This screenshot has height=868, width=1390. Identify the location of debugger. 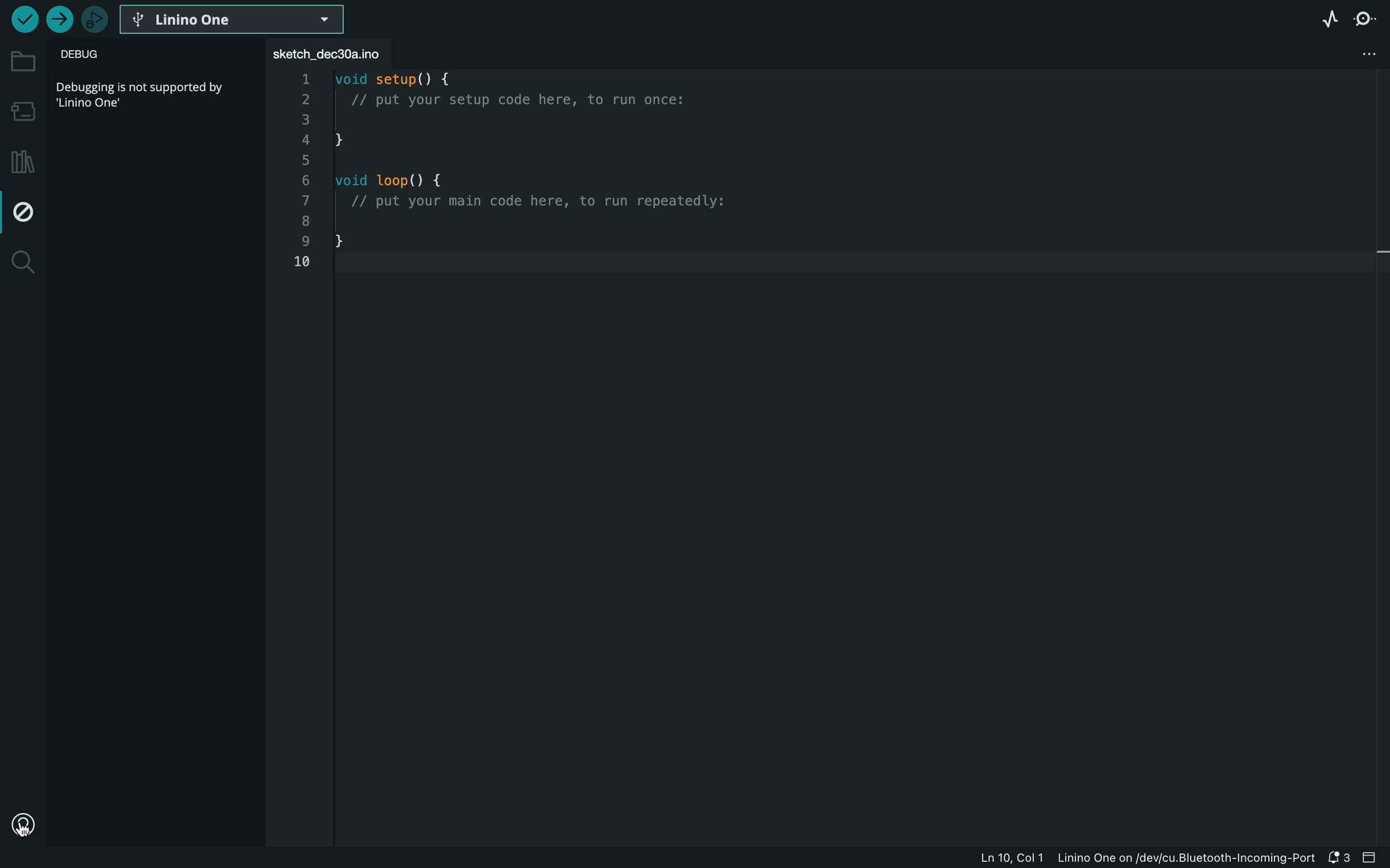
(95, 20).